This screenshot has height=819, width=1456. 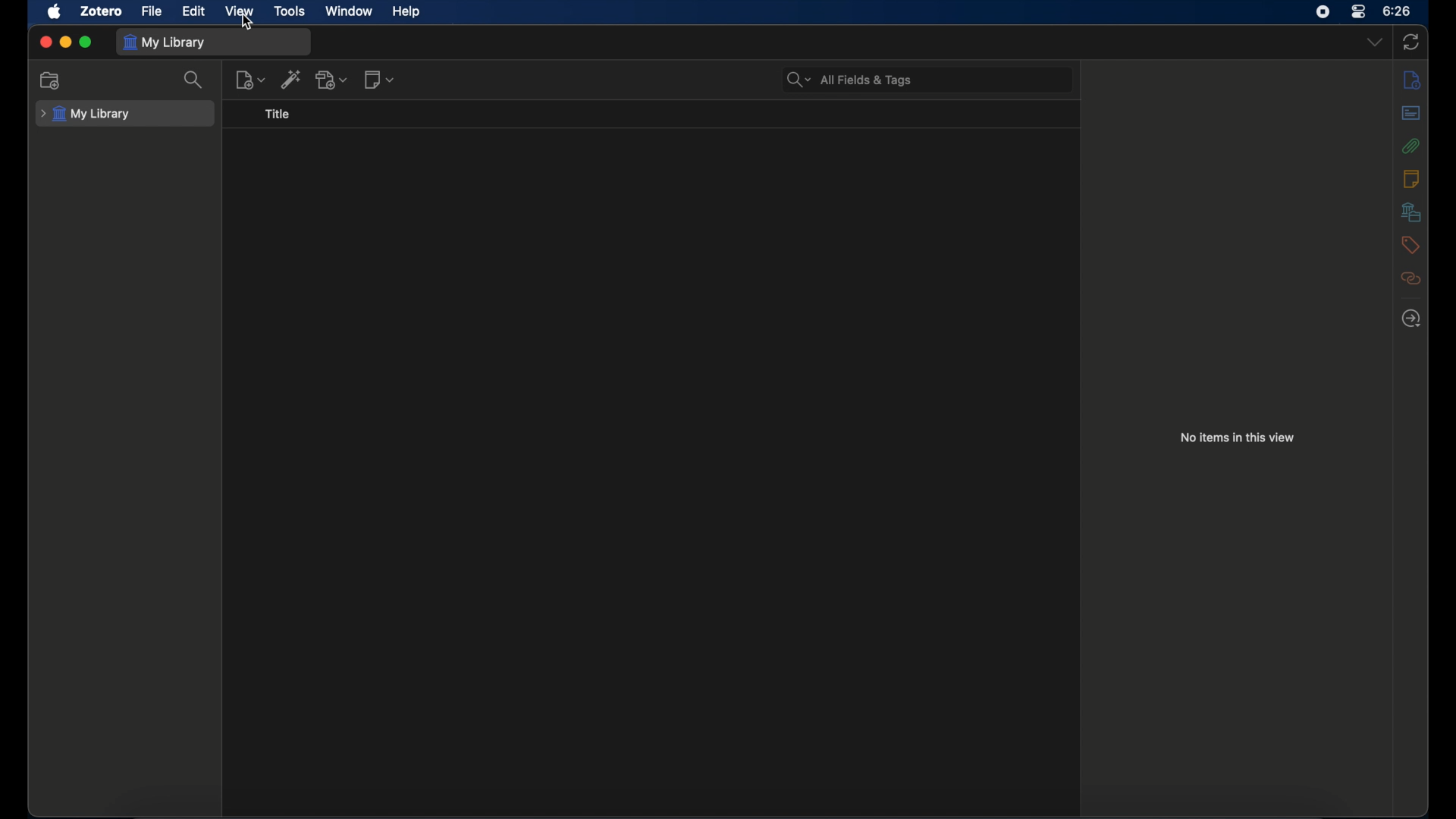 I want to click on window, so click(x=349, y=10).